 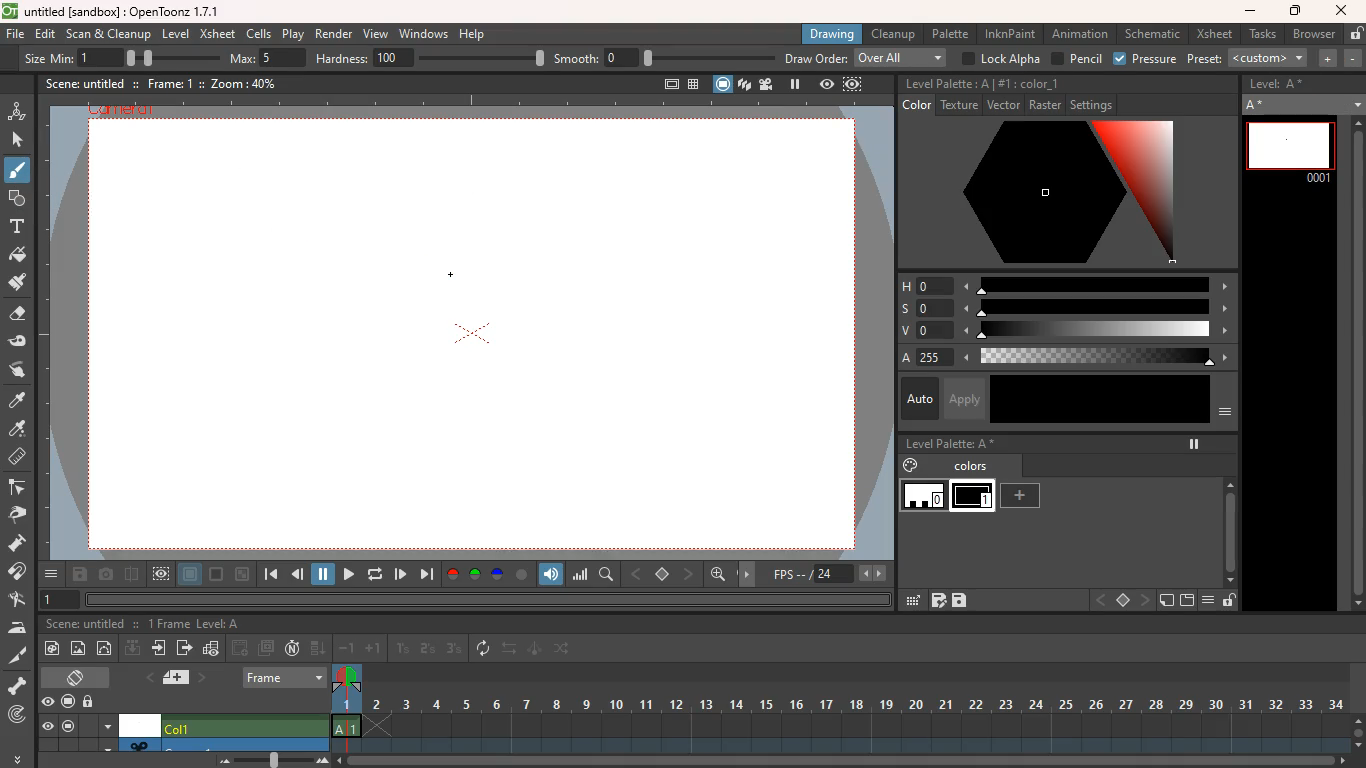 What do you see at coordinates (15, 654) in the screenshot?
I see `cut` at bounding box center [15, 654].